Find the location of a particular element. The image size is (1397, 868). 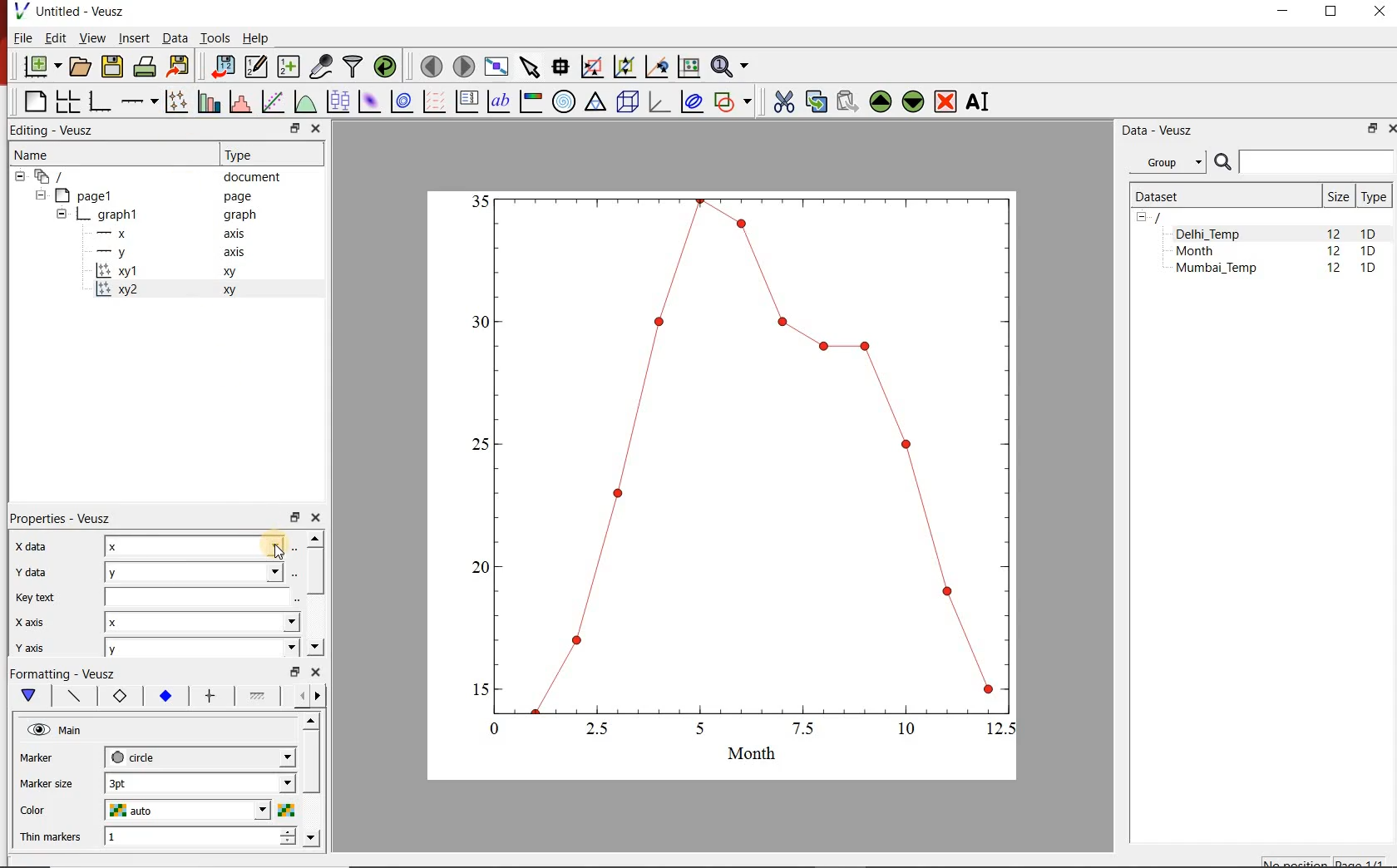

plot covariance ellipses is located at coordinates (692, 101).